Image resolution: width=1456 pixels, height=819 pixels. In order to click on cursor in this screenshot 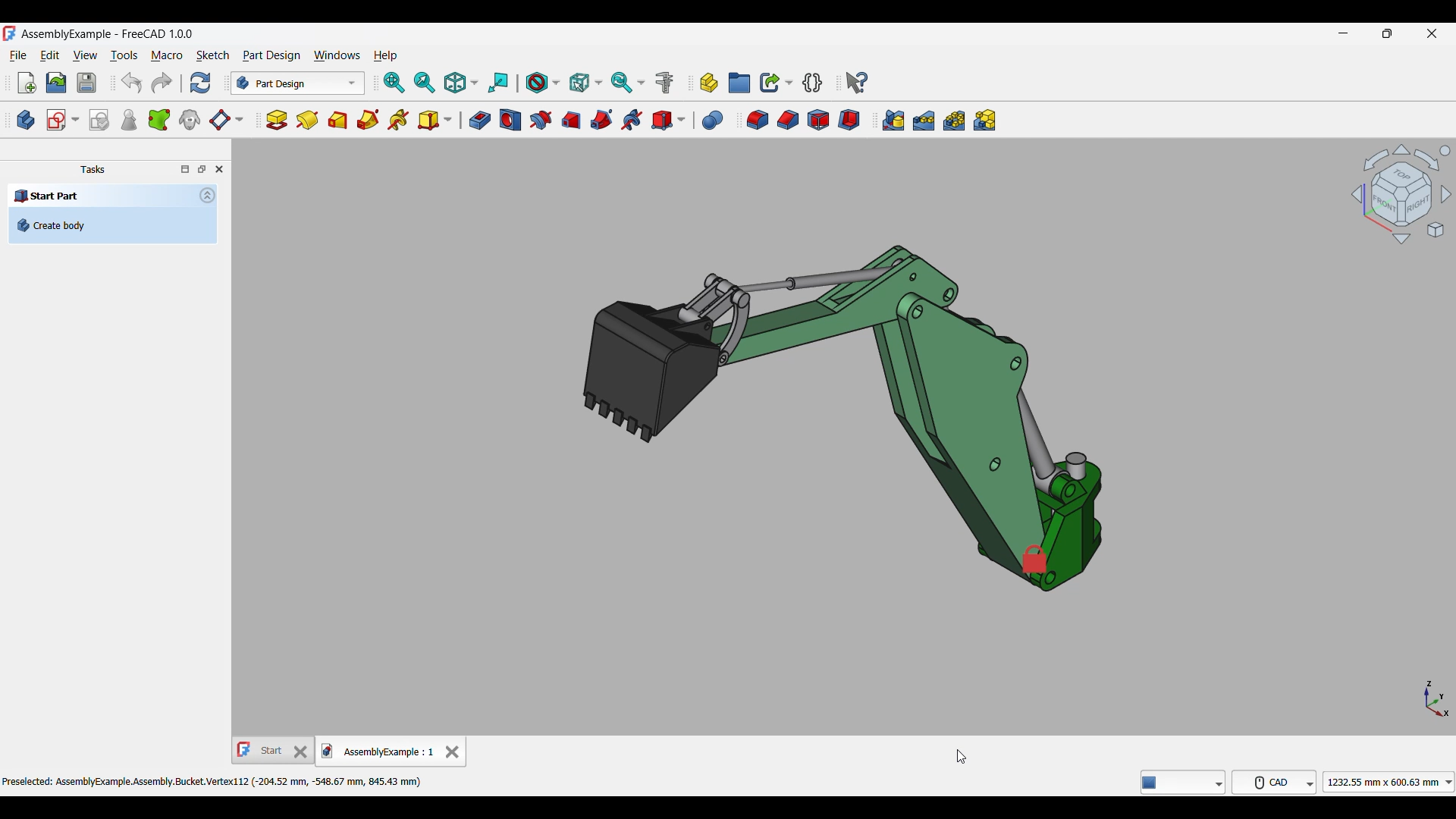, I will do `click(962, 757)`.